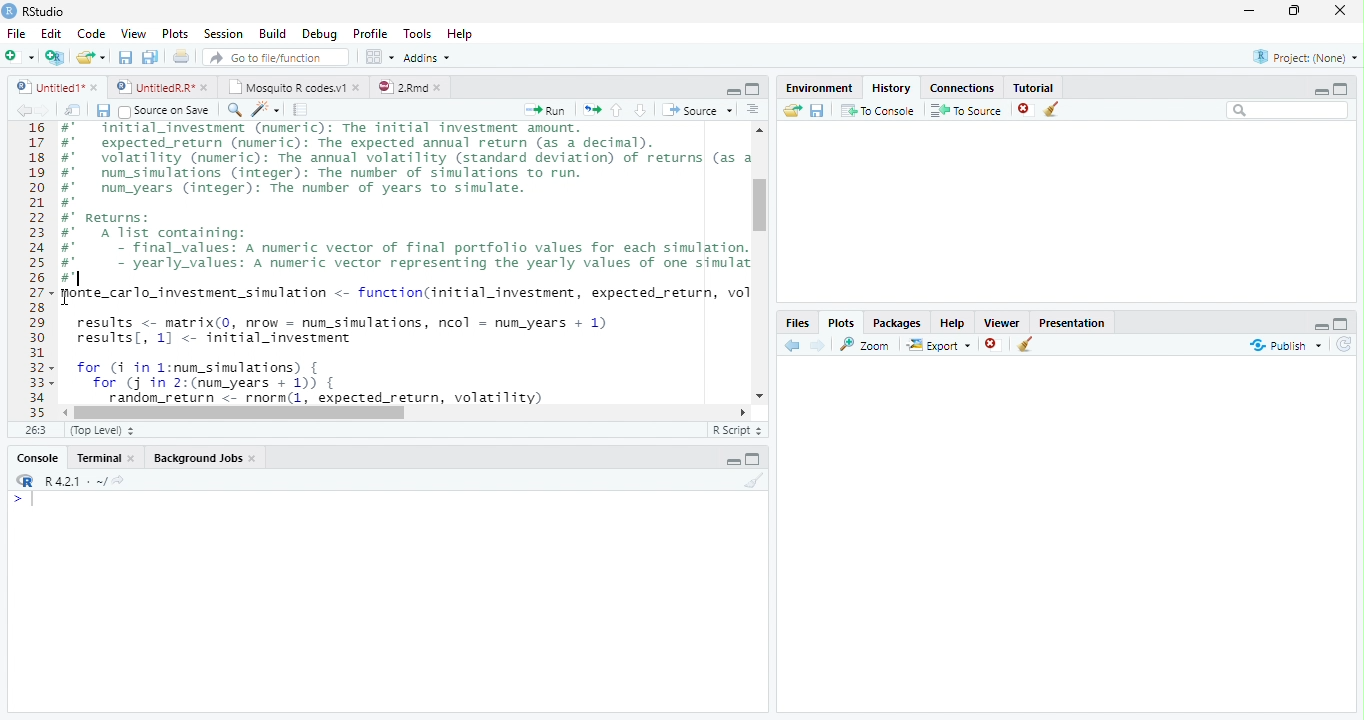  What do you see at coordinates (995, 345) in the screenshot?
I see `Remove selected` at bounding box center [995, 345].